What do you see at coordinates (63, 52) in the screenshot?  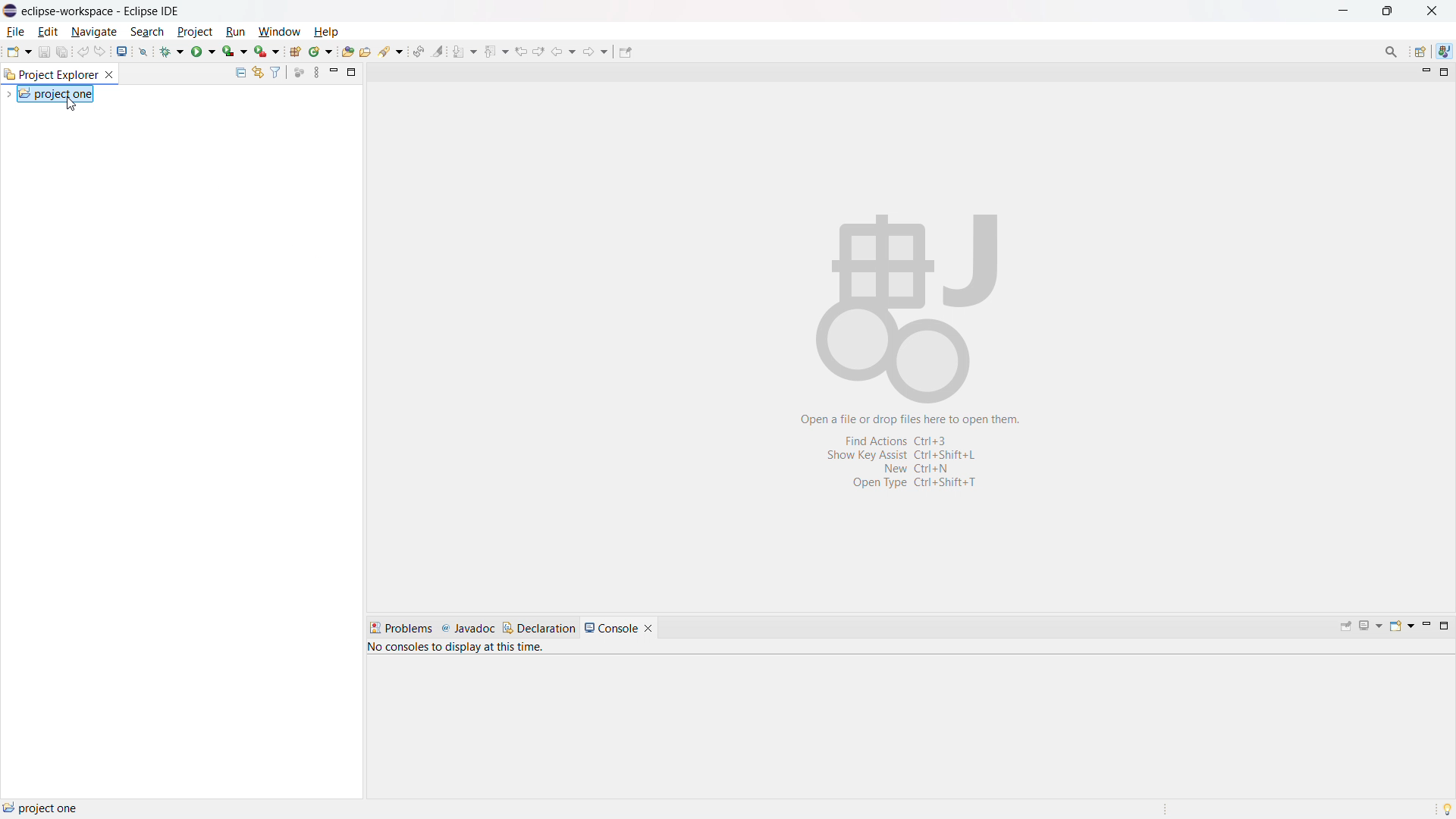 I see `save all` at bounding box center [63, 52].